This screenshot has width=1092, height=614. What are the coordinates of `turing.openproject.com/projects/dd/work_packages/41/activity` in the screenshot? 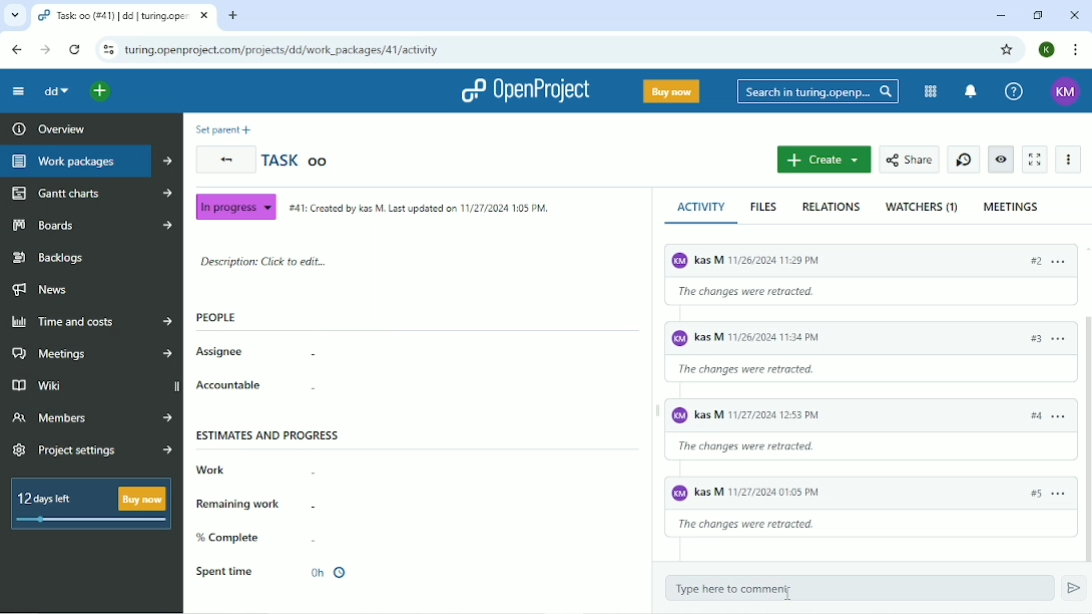 It's located at (281, 51).